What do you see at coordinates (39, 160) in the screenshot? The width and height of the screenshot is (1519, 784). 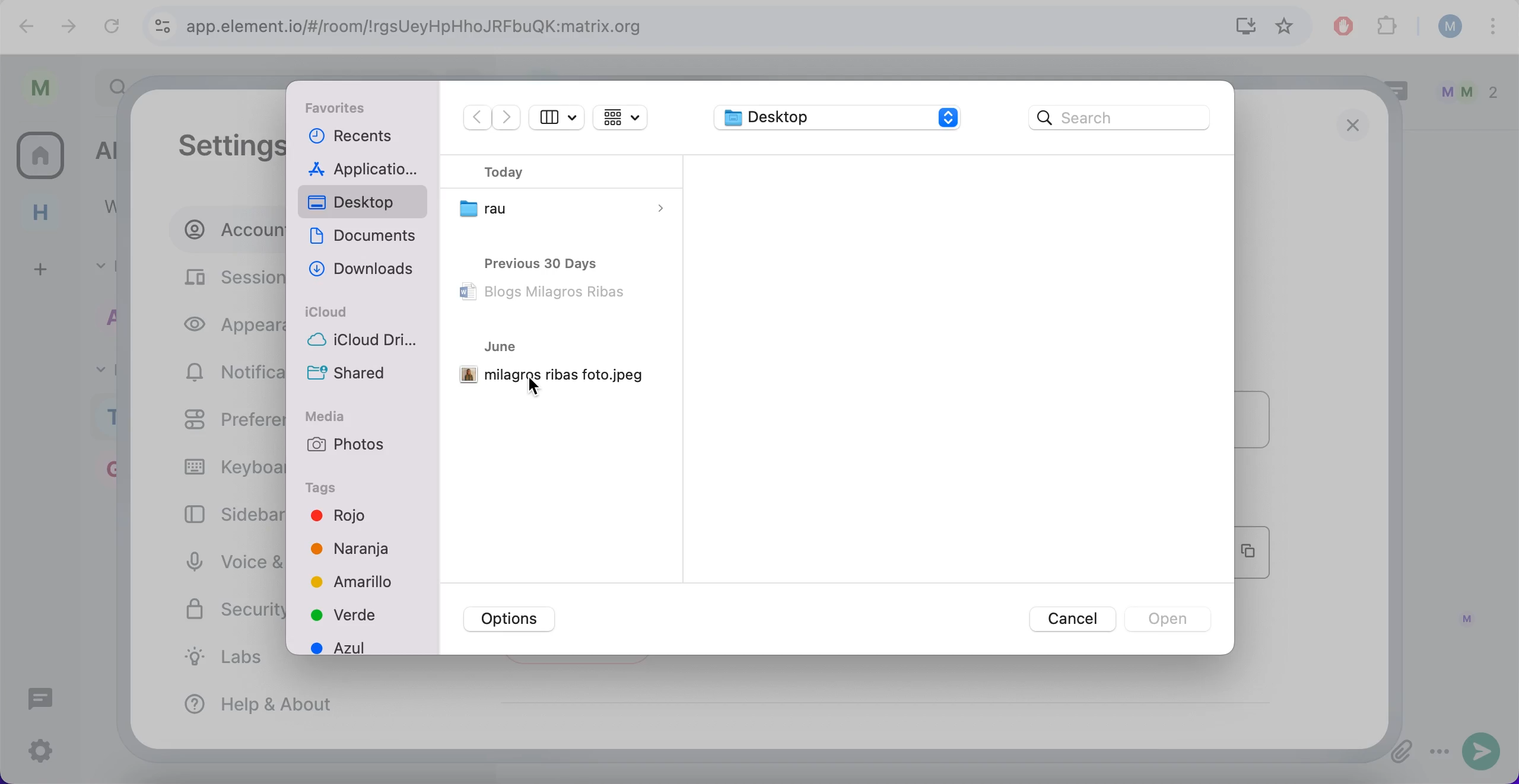 I see `all rooms` at bounding box center [39, 160].